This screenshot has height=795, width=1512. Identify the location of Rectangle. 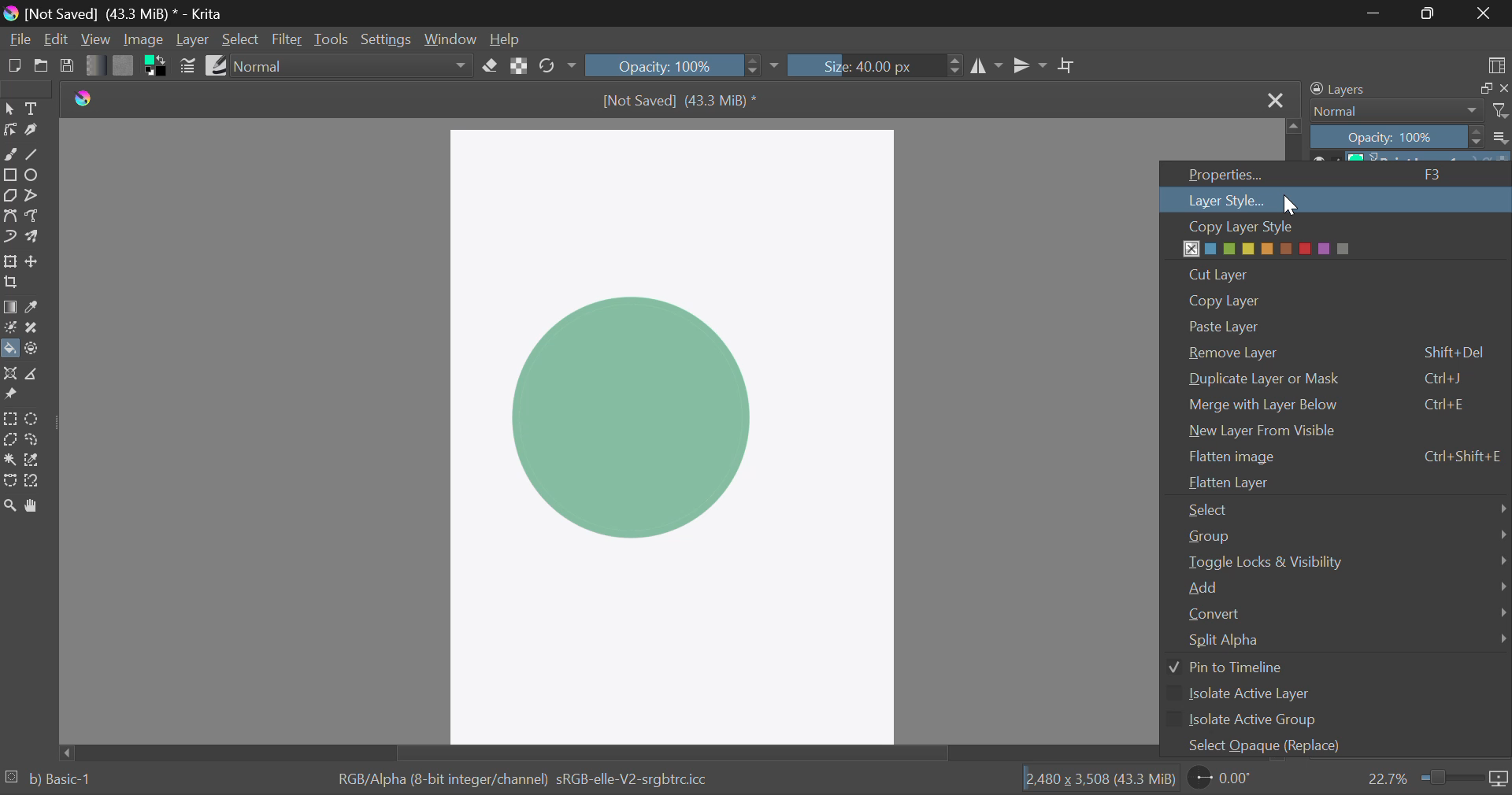
(11, 174).